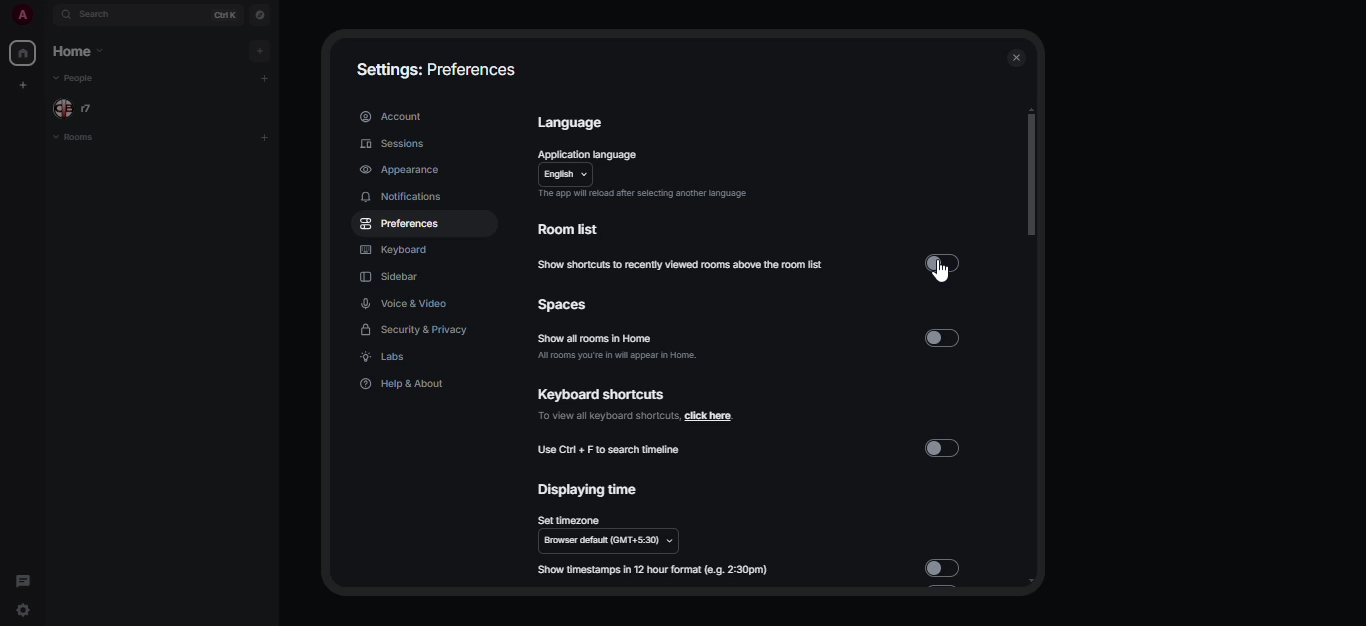 The width and height of the screenshot is (1366, 626). Describe the element at coordinates (24, 579) in the screenshot. I see `threads` at that location.